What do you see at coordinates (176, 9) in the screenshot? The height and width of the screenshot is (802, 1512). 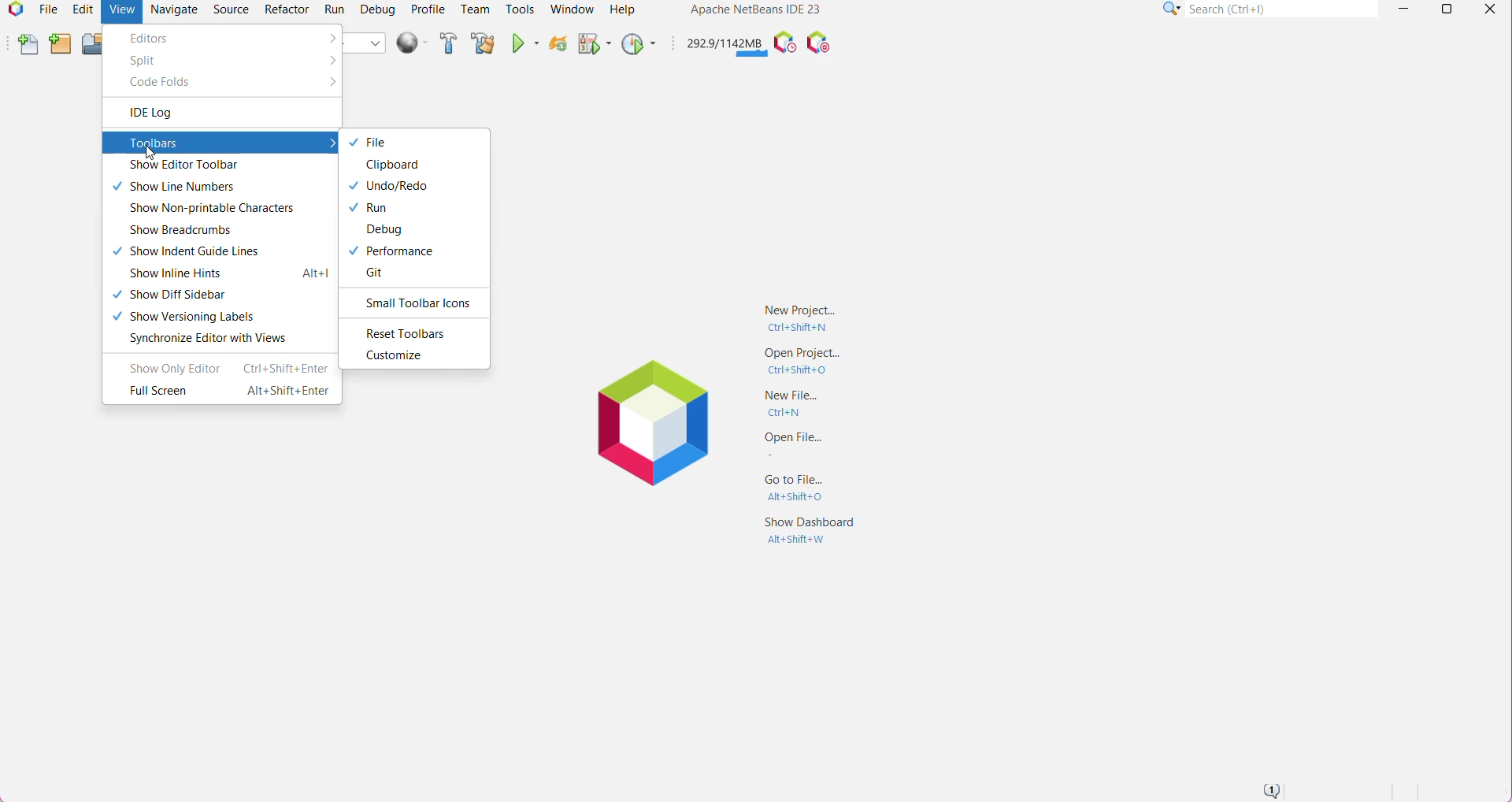 I see `Navigate` at bounding box center [176, 9].